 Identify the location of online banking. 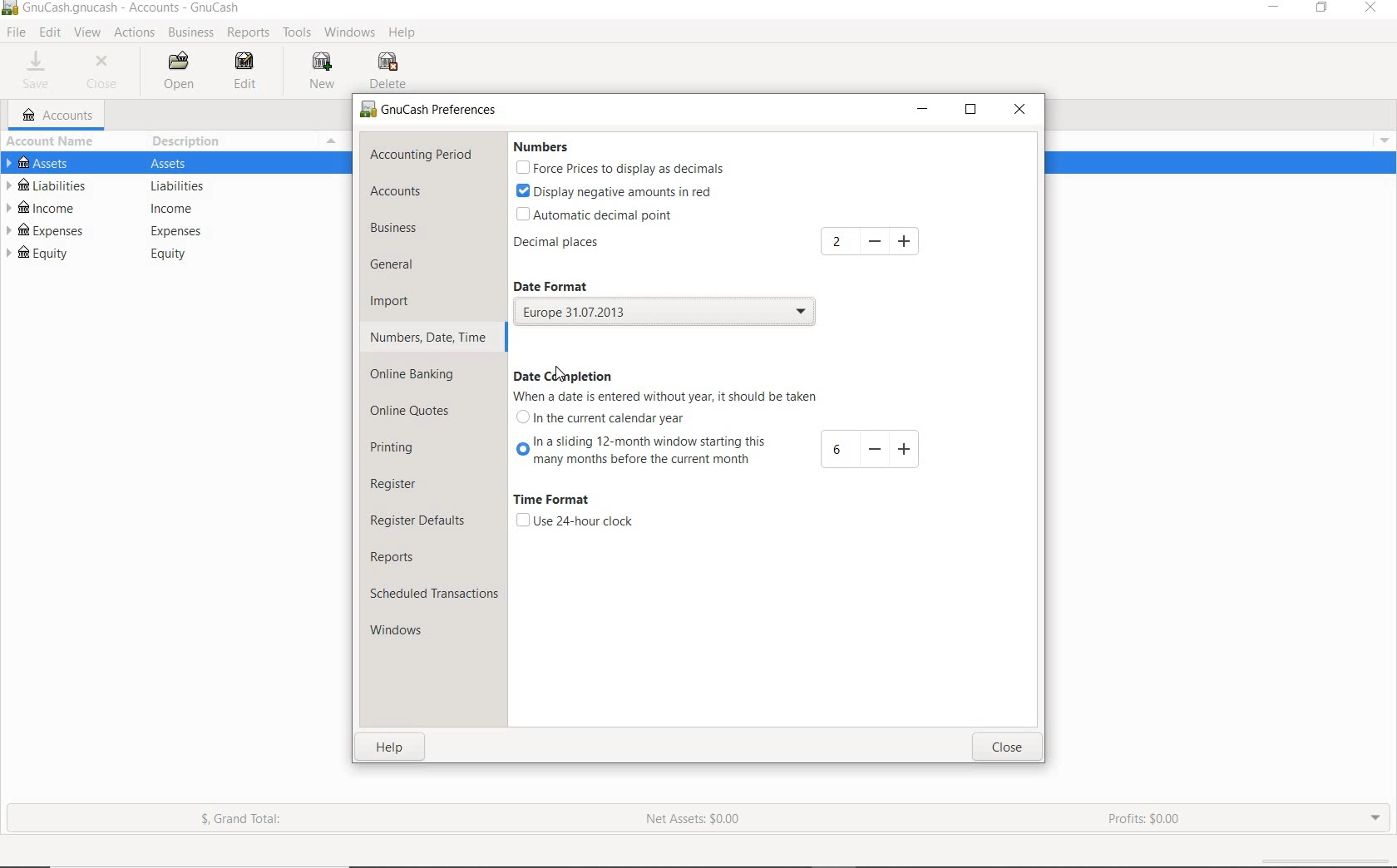
(421, 374).